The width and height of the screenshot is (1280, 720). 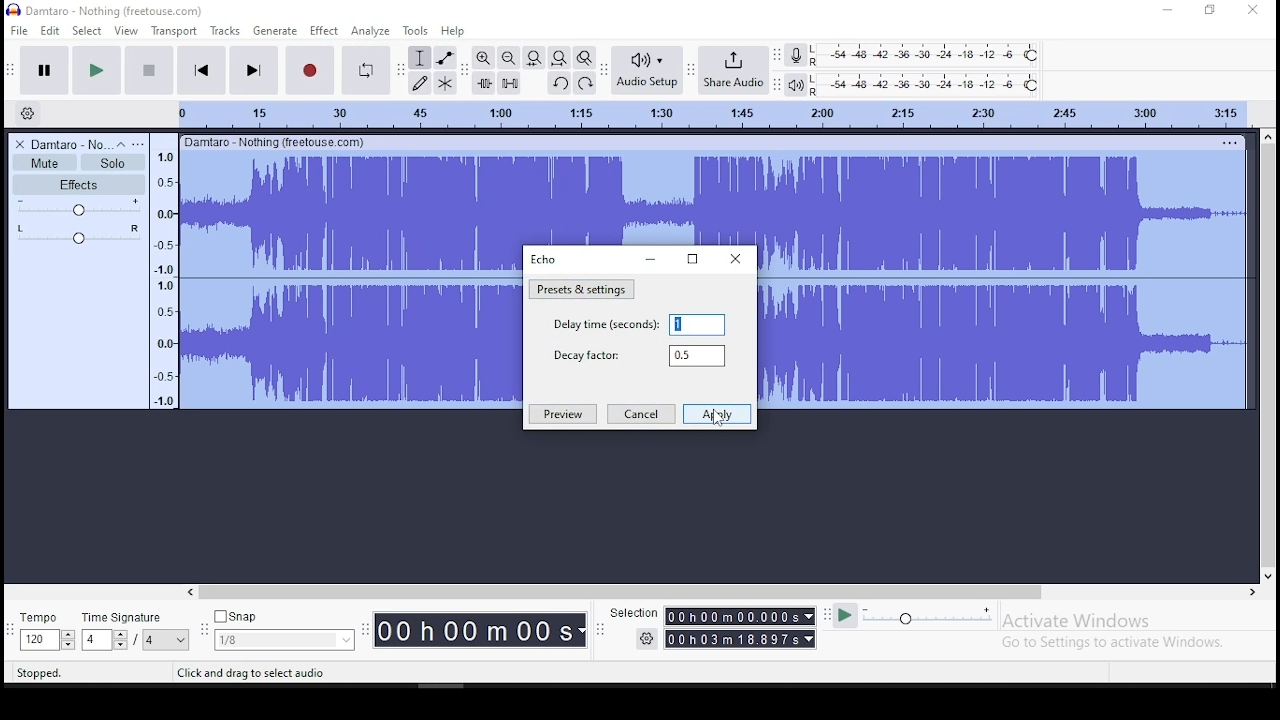 What do you see at coordinates (690, 70) in the screenshot?
I see `` at bounding box center [690, 70].